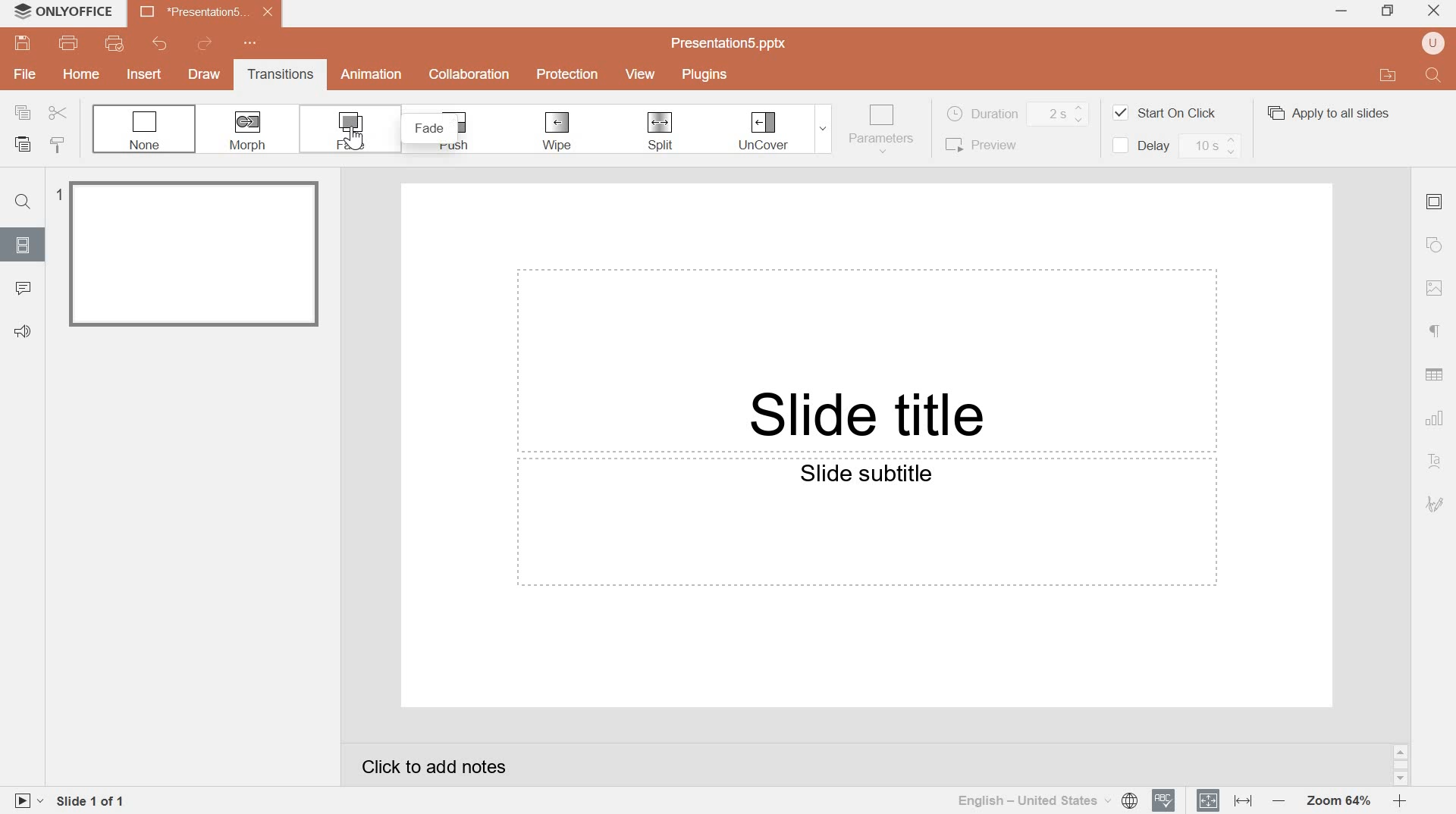 This screenshot has height=814, width=1456. What do you see at coordinates (730, 42) in the screenshot?
I see `Presentation5.pptx` at bounding box center [730, 42].